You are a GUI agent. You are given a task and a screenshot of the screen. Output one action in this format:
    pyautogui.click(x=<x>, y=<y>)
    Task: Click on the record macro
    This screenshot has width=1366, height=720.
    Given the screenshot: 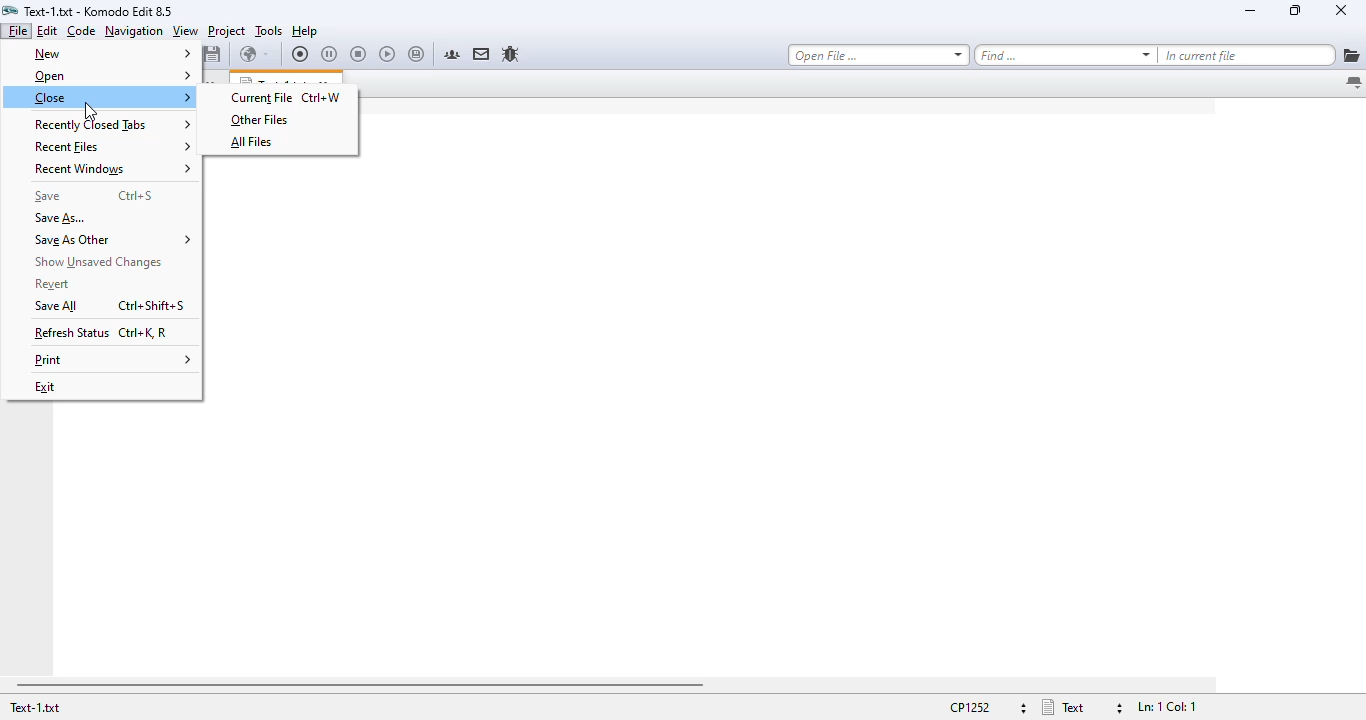 What is the action you would take?
    pyautogui.click(x=301, y=54)
    